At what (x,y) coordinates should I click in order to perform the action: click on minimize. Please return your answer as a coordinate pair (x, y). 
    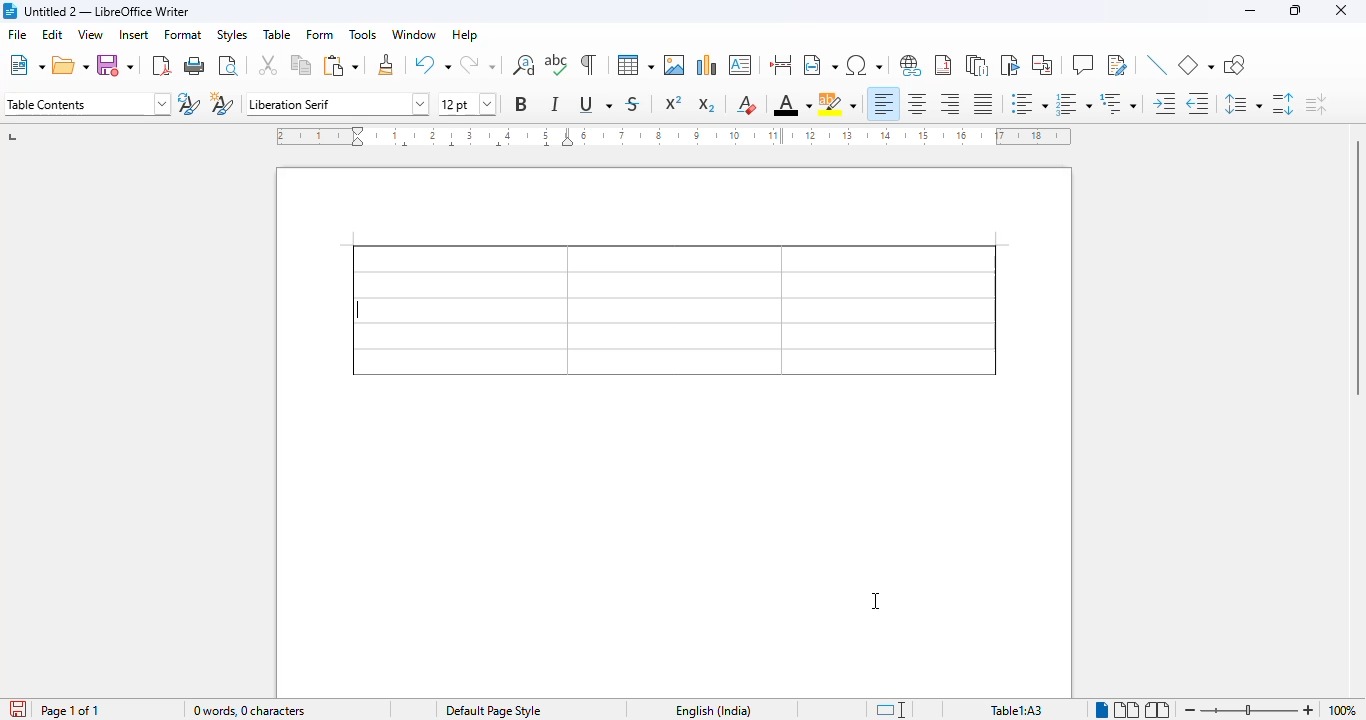
    Looking at the image, I should click on (1250, 10).